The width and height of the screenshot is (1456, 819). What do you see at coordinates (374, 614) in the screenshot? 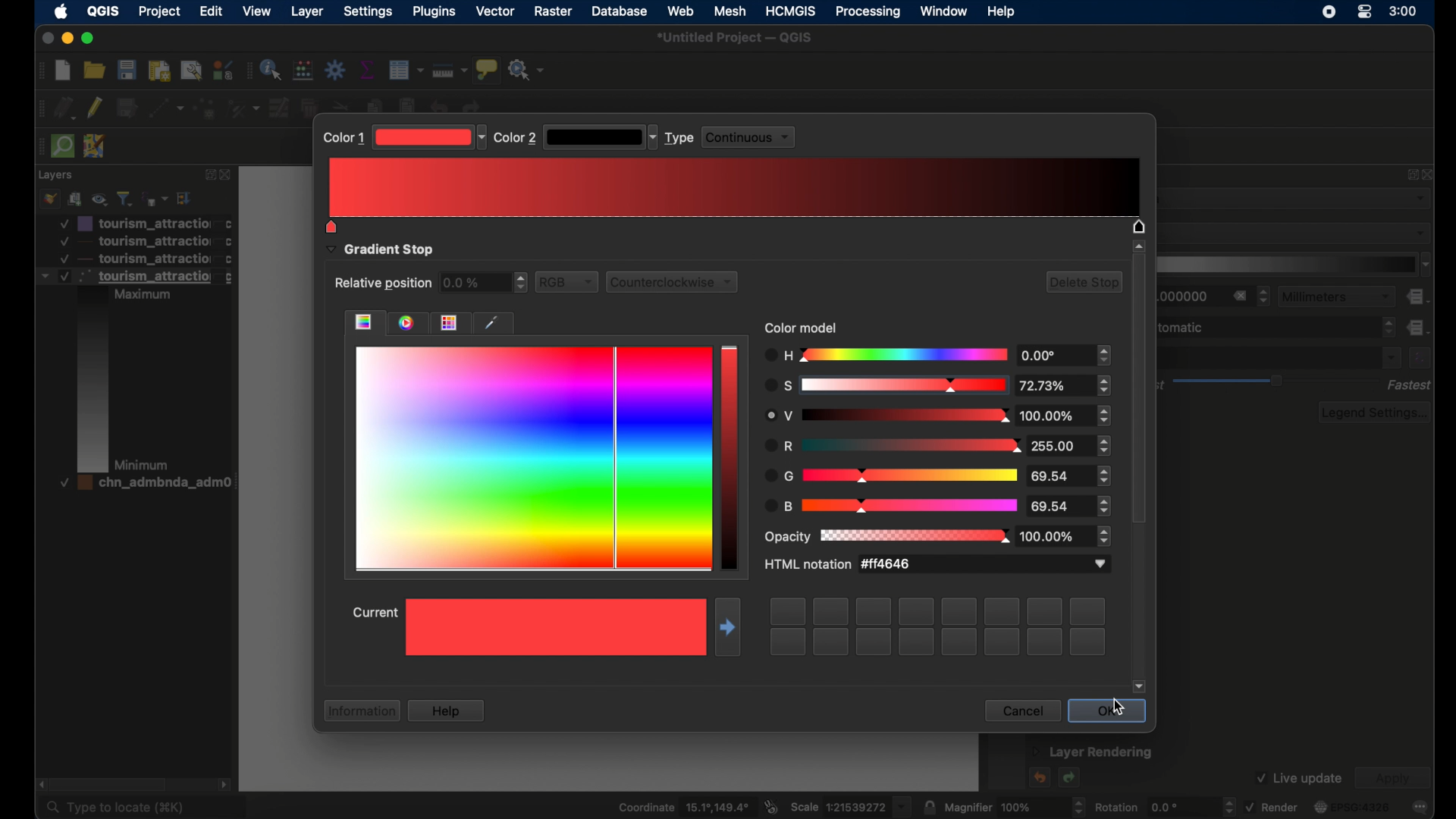
I see `current` at bounding box center [374, 614].